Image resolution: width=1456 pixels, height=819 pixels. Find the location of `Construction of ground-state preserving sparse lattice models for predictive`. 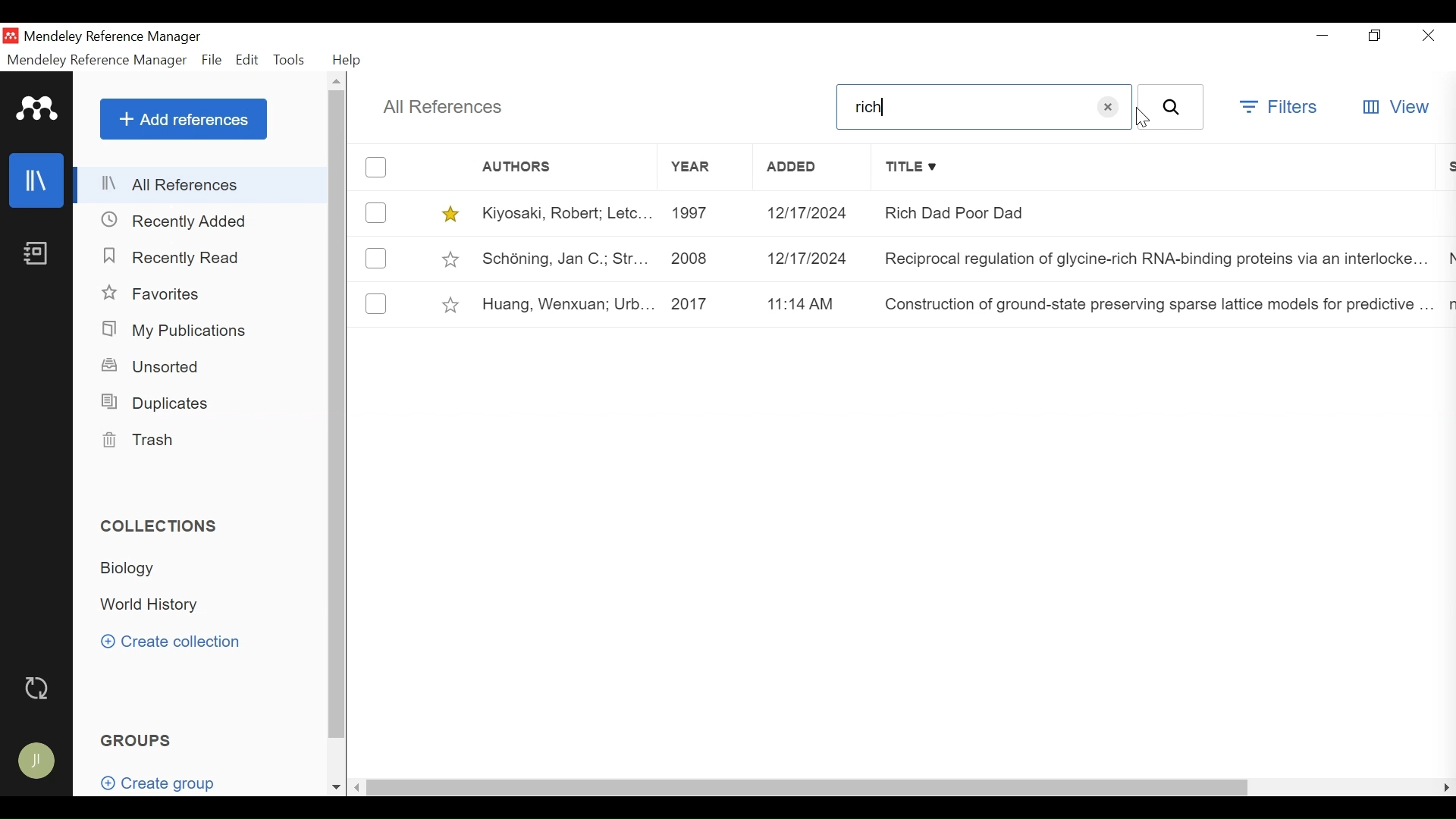

Construction of ground-state preserving sparse lattice models for predictive is located at coordinates (1155, 306).